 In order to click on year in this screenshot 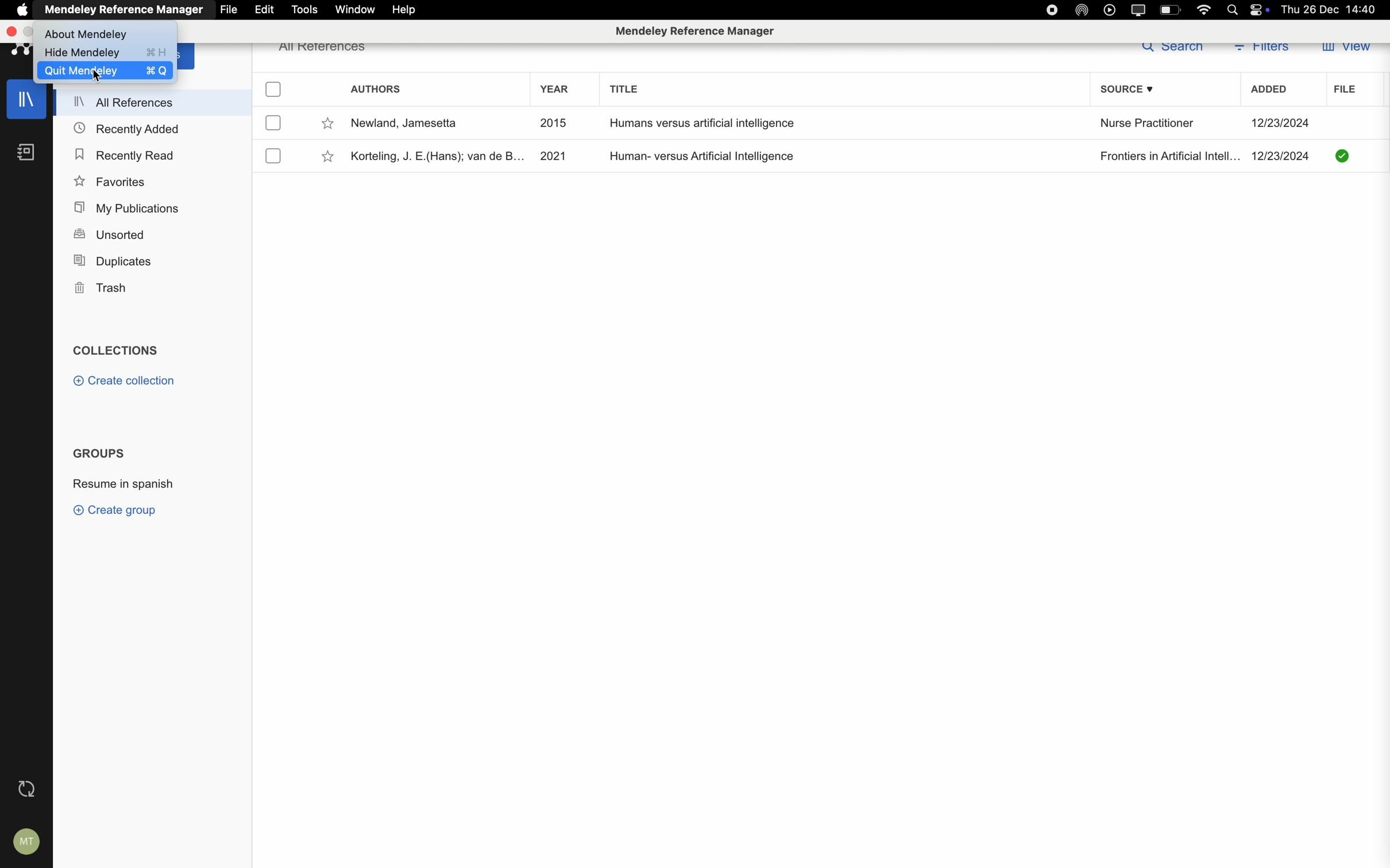, I will do `click(555, 88)`.